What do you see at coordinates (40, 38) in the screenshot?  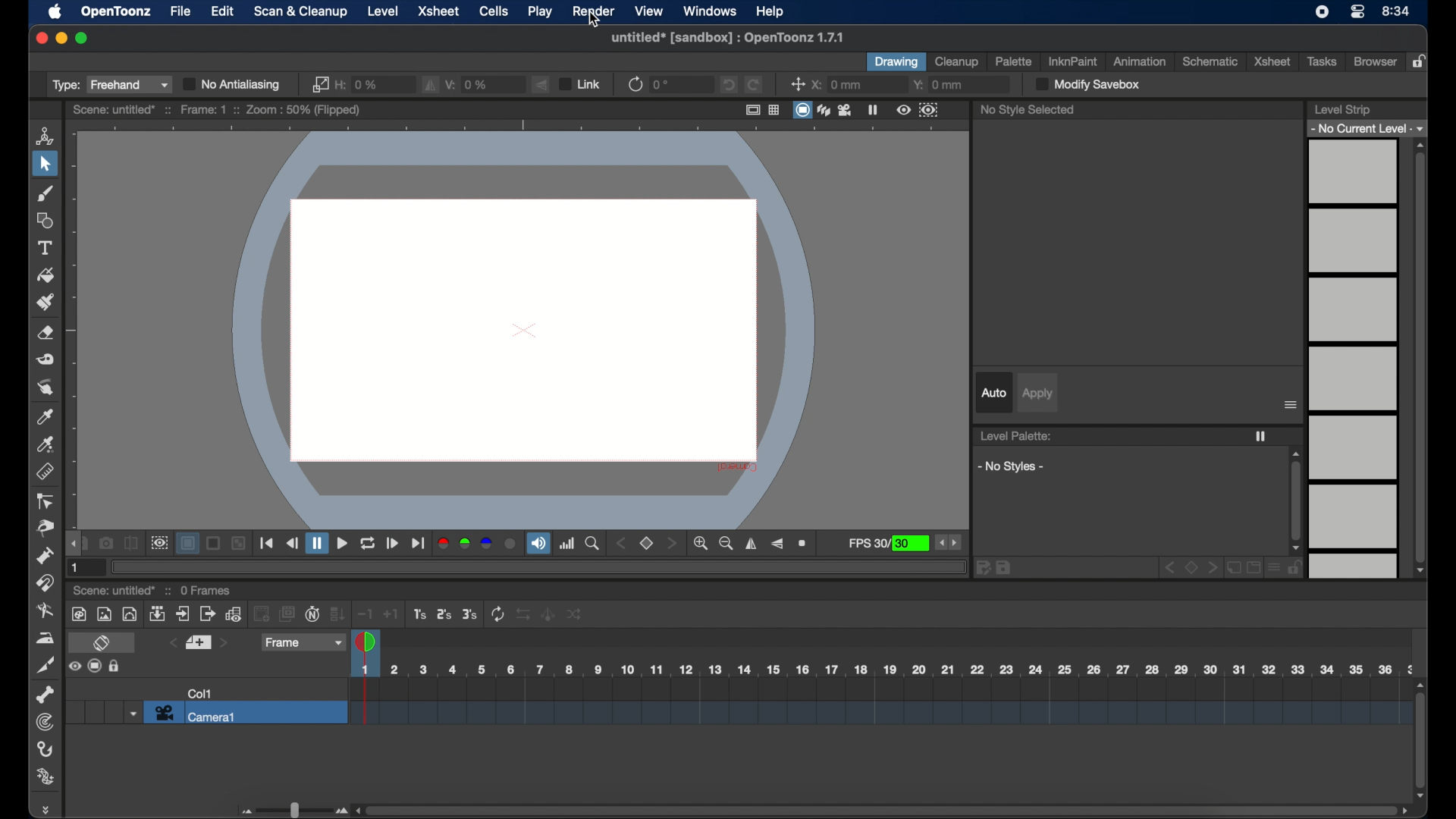 I see `close` at bounding box center [40, 38].